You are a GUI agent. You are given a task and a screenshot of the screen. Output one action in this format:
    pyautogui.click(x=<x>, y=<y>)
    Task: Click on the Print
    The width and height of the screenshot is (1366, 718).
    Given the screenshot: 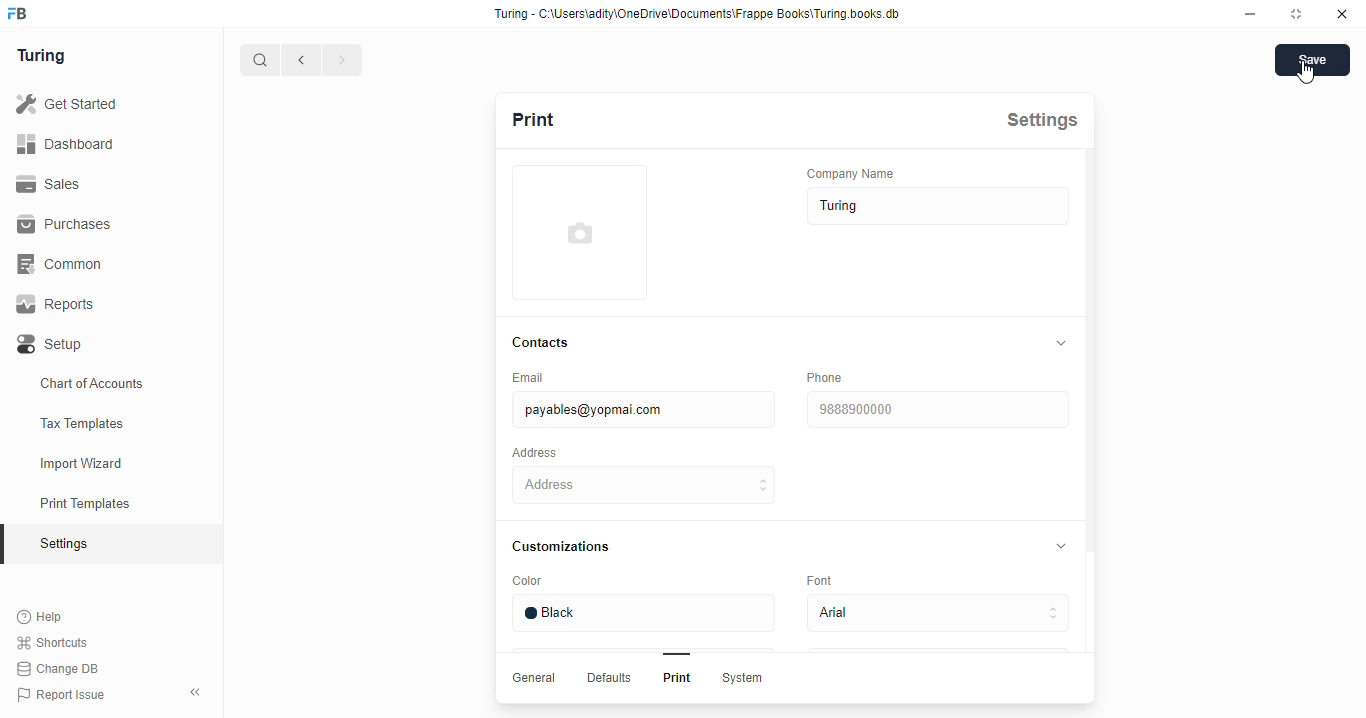 What is the action you would take?
    pyautogui.click(x=558, y=118)
    